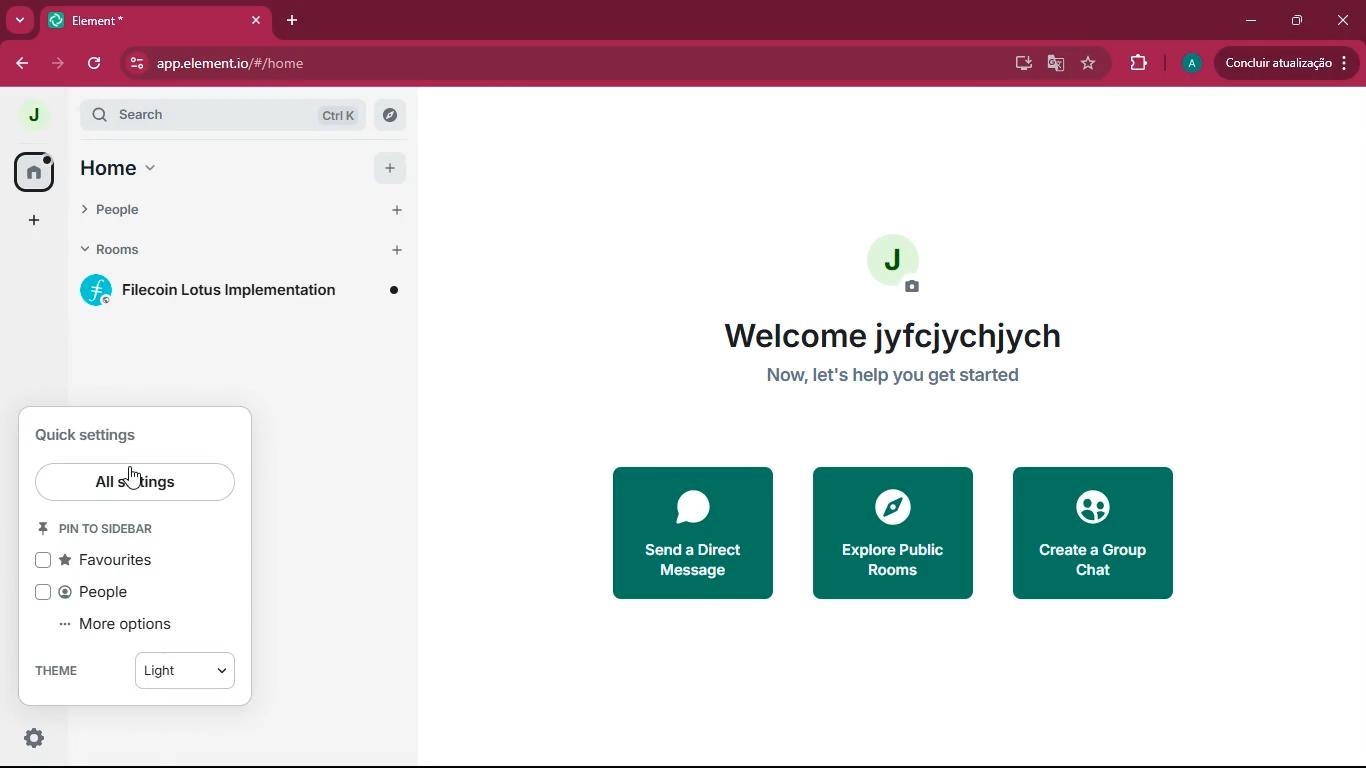 The height and width of the screenshot is (768, 1366). Describe the element at coordinates (913, 374) in the screenshot. I see `Now, let's help you get started` at that location.